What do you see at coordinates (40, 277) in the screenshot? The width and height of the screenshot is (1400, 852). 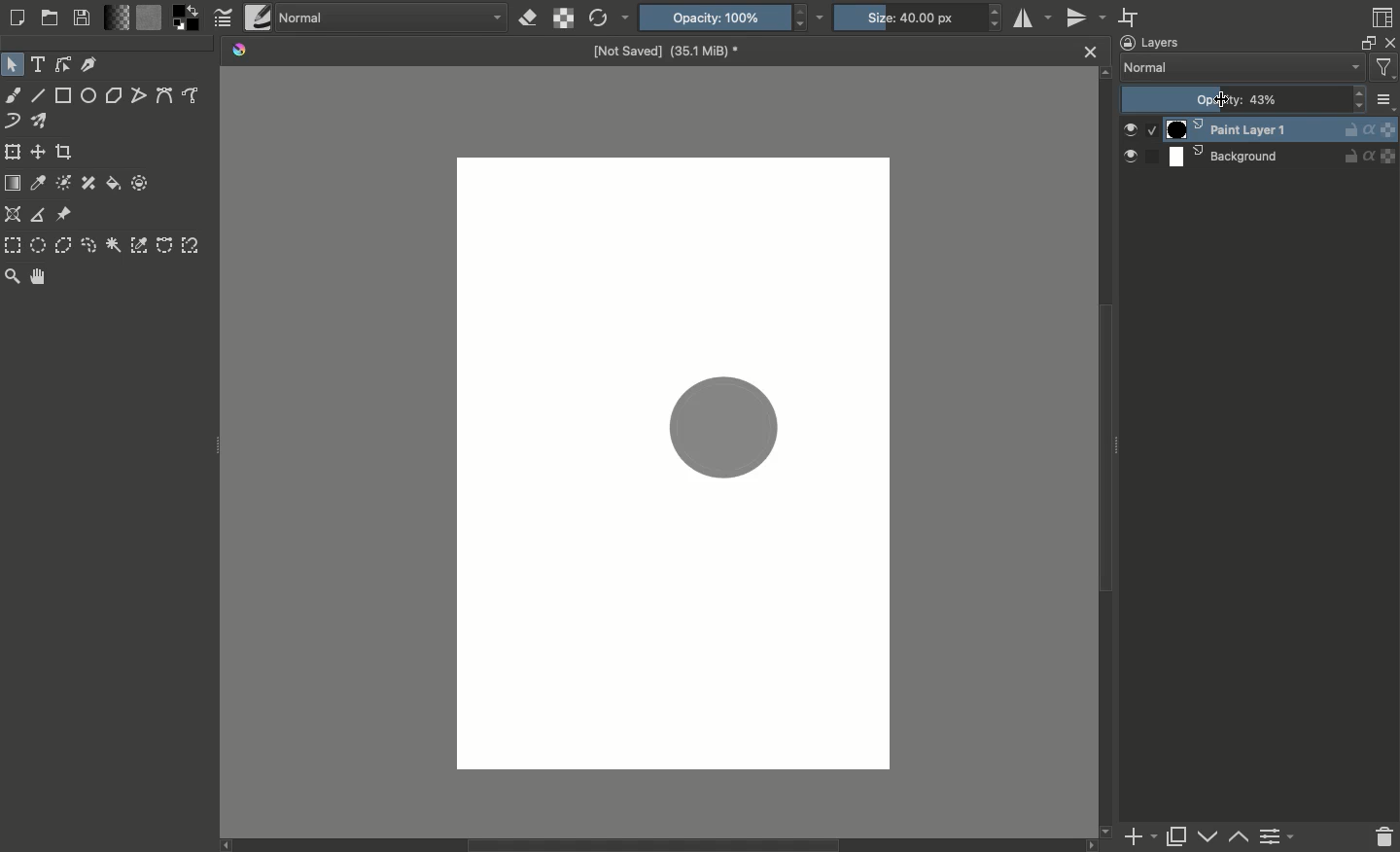 I see `Pan tool` at bounding box center [40, 277].